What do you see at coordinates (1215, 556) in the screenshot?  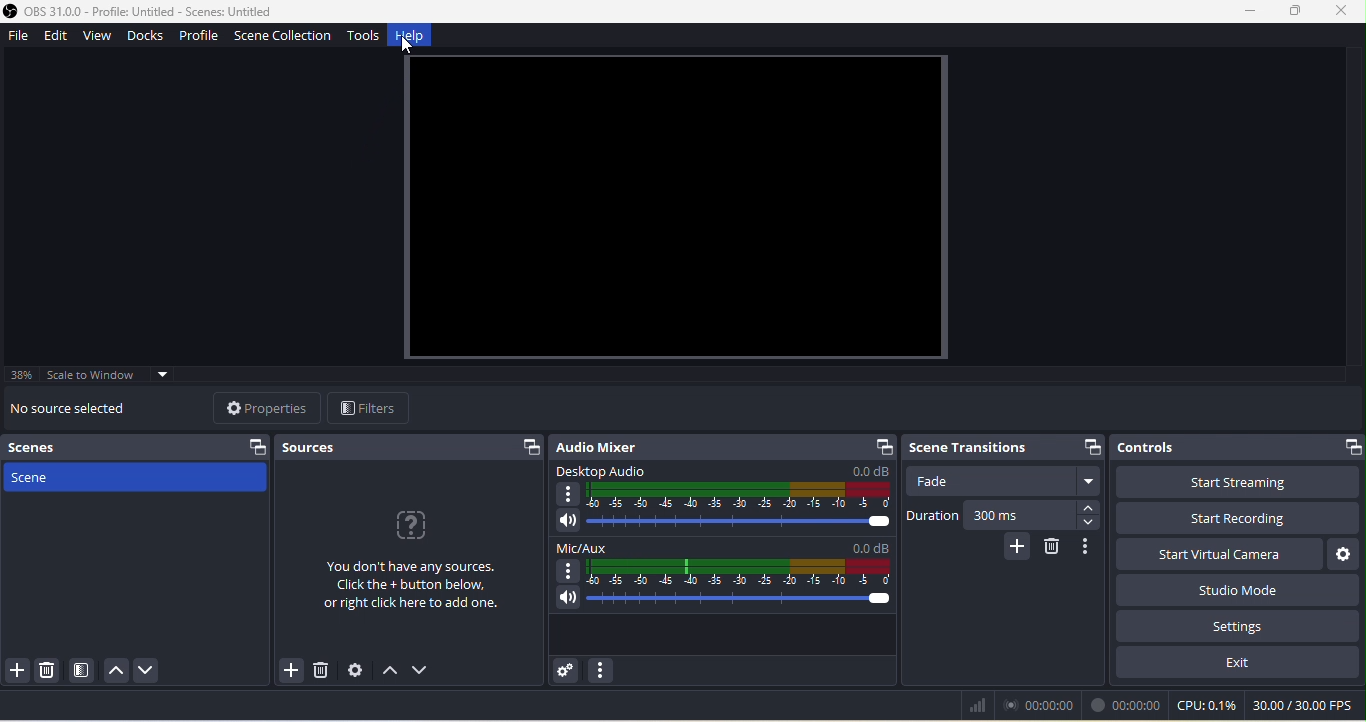 I see `start virtual camera` at bounding box center [1215, 556].